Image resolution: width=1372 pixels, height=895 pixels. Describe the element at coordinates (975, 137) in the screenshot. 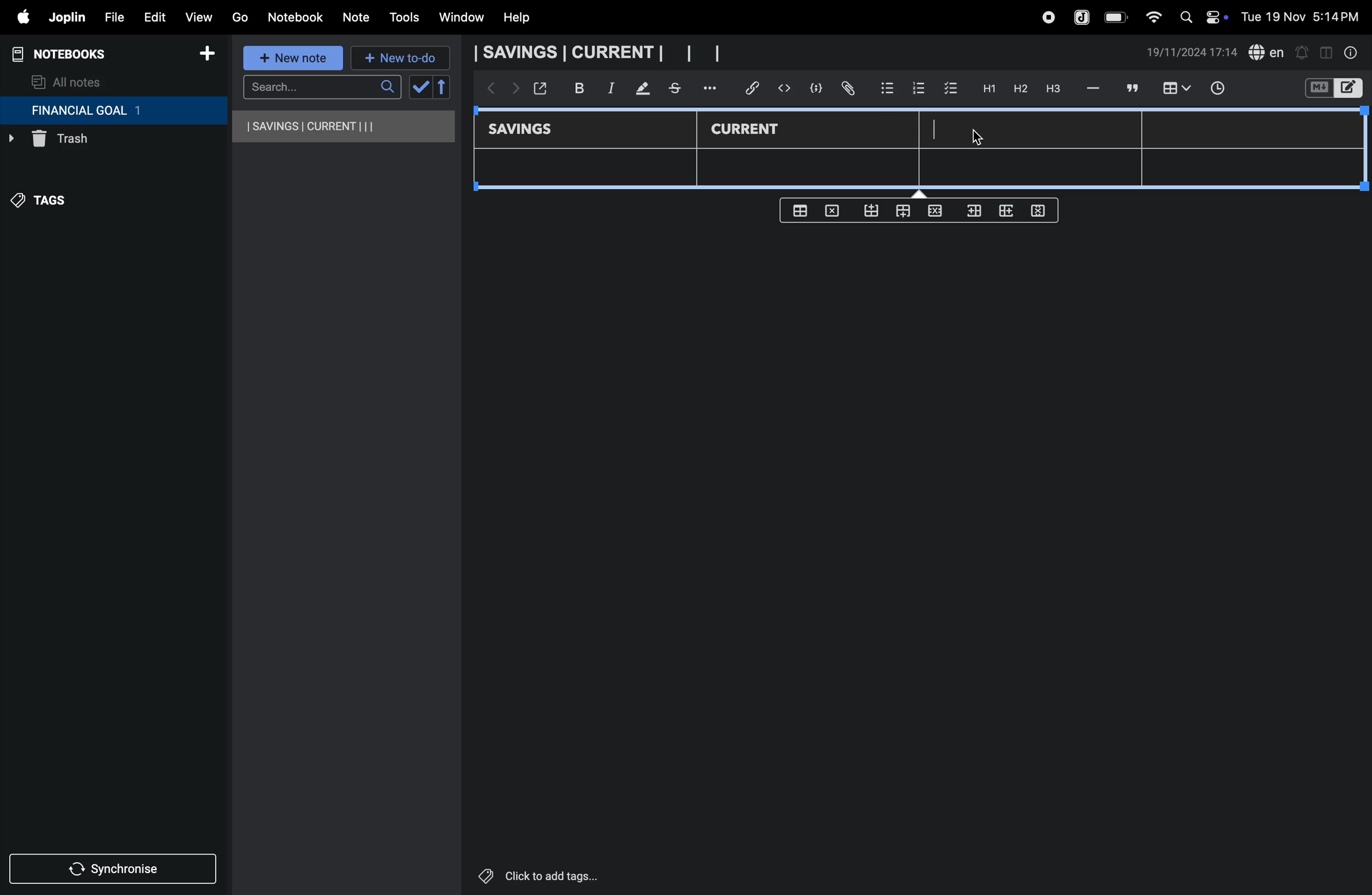

I see `Cursor` at that location.